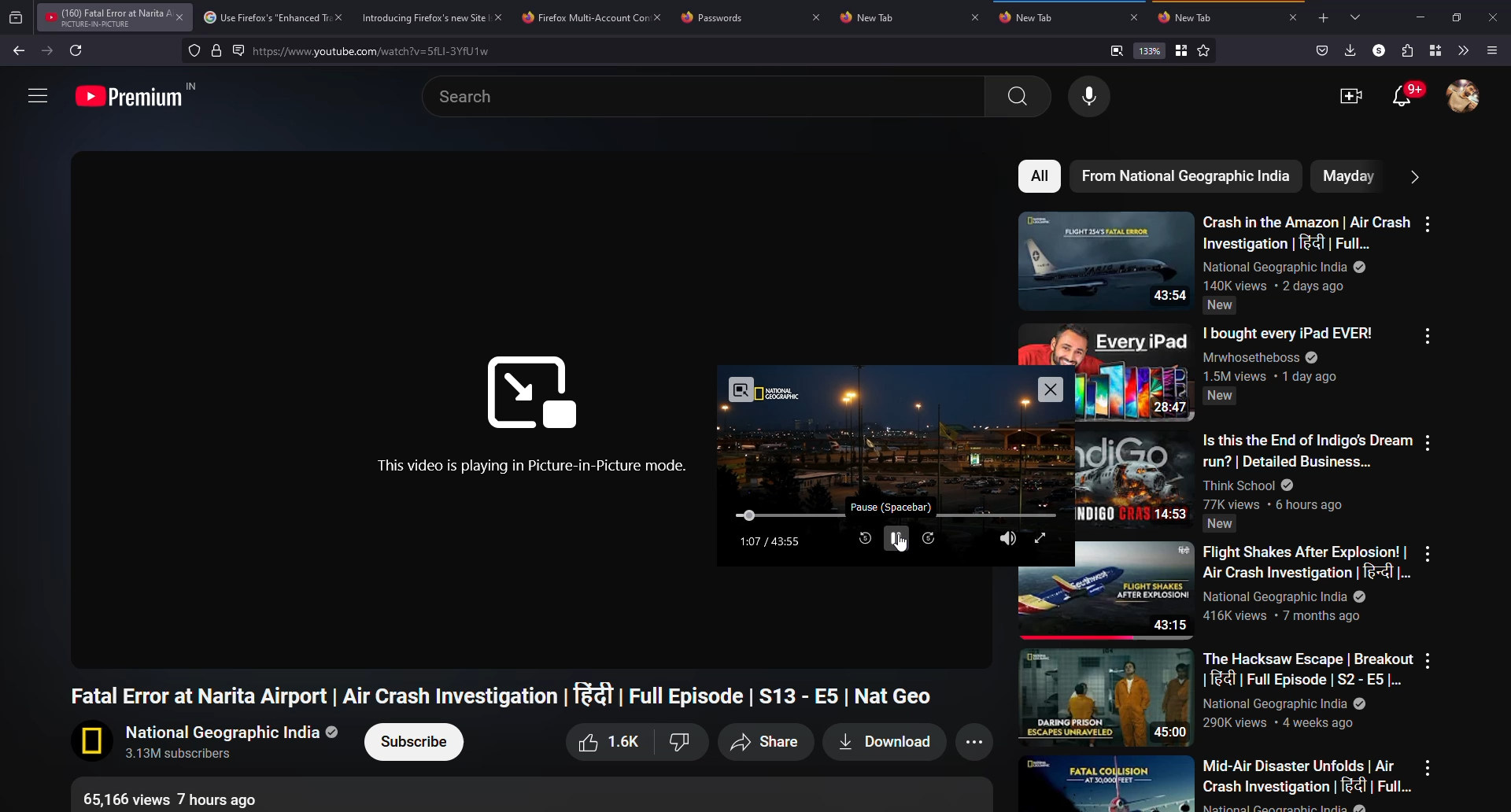 The height and width of the screenshot is (812, 1511). I want to click on more, so click(1413, 175).